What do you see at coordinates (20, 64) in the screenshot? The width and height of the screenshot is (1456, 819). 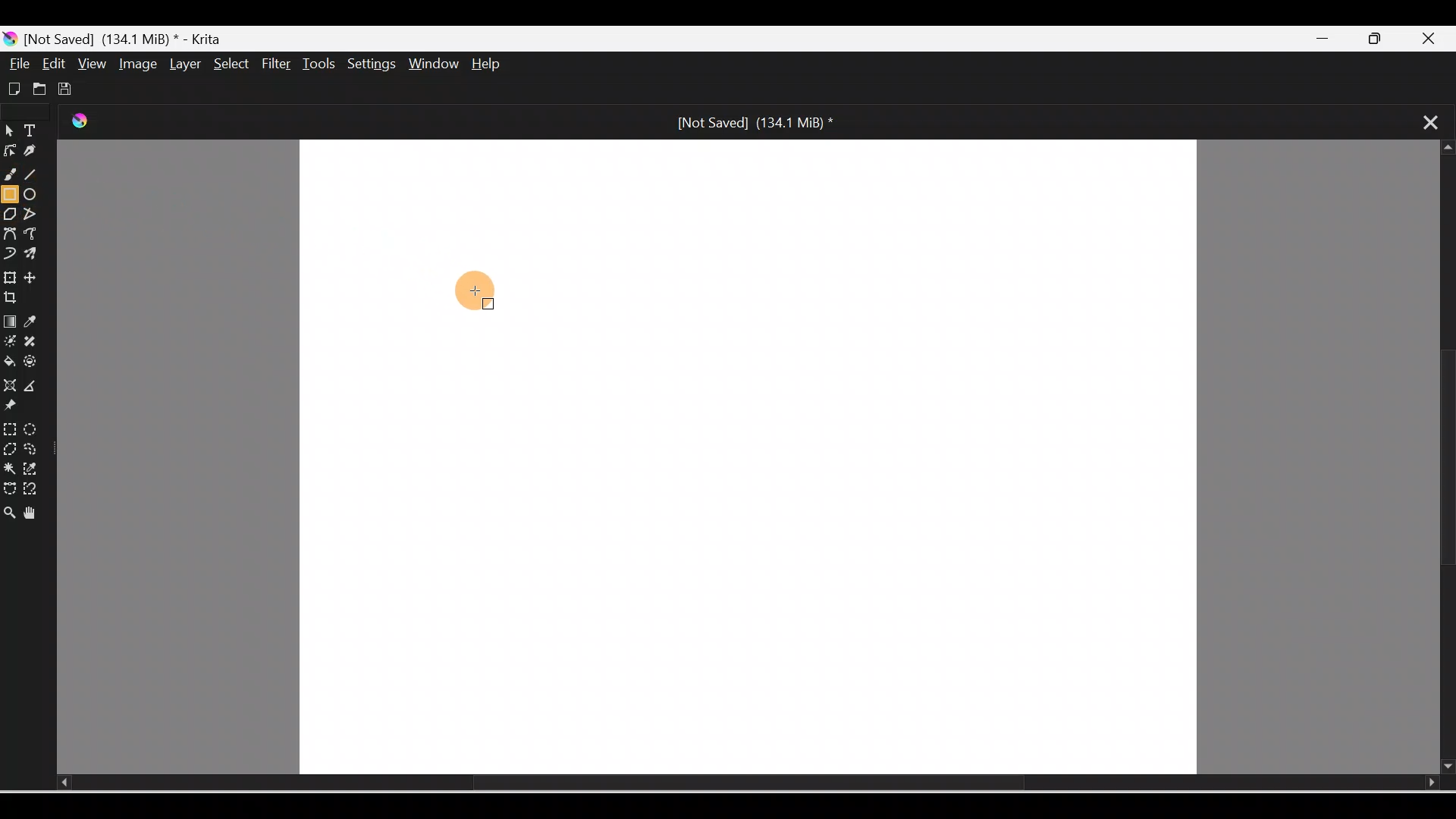 I see `File` at bounding box center [20, 64].